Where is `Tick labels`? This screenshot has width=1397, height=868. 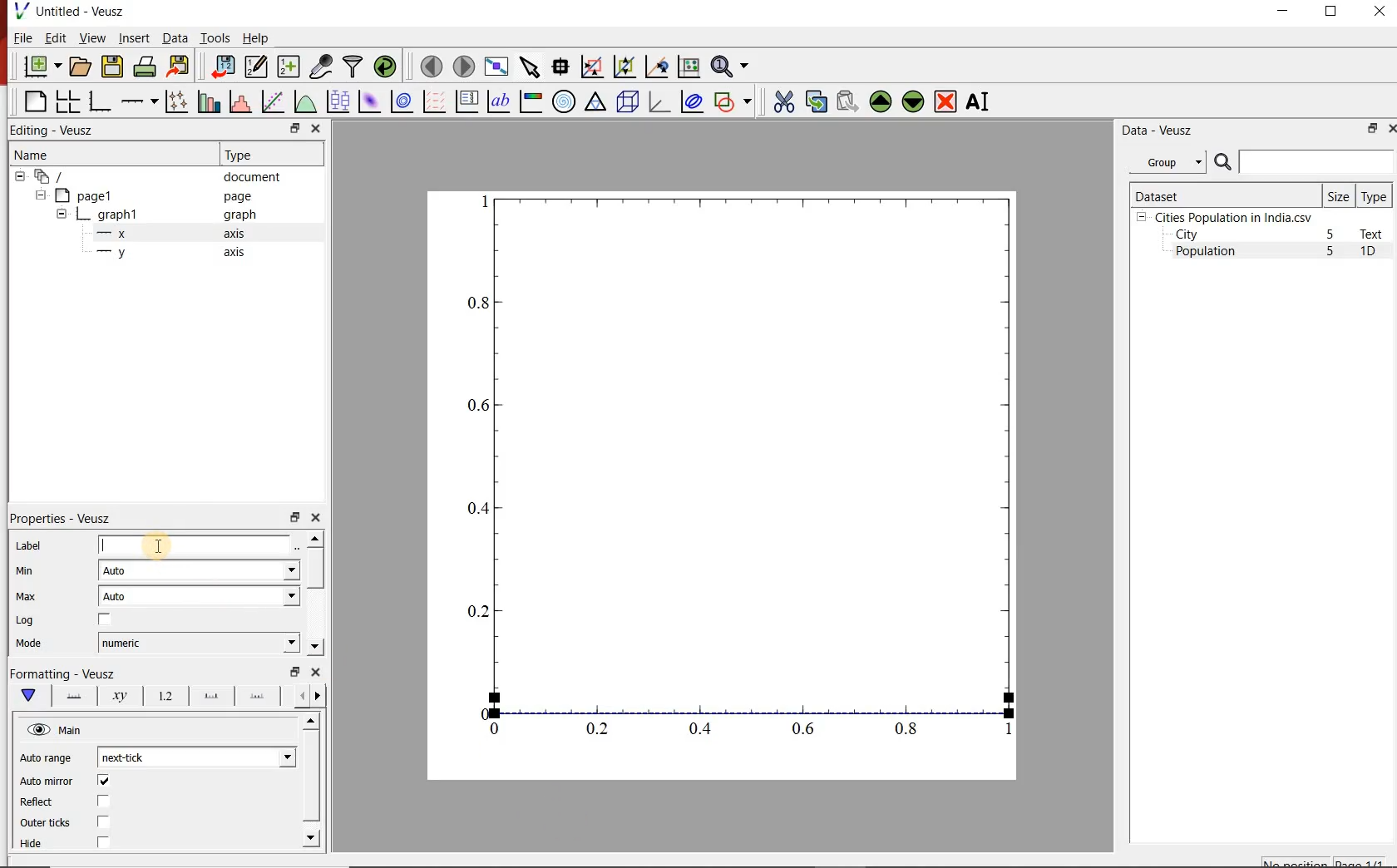 Tick labels is located at coordinates (161, 698).